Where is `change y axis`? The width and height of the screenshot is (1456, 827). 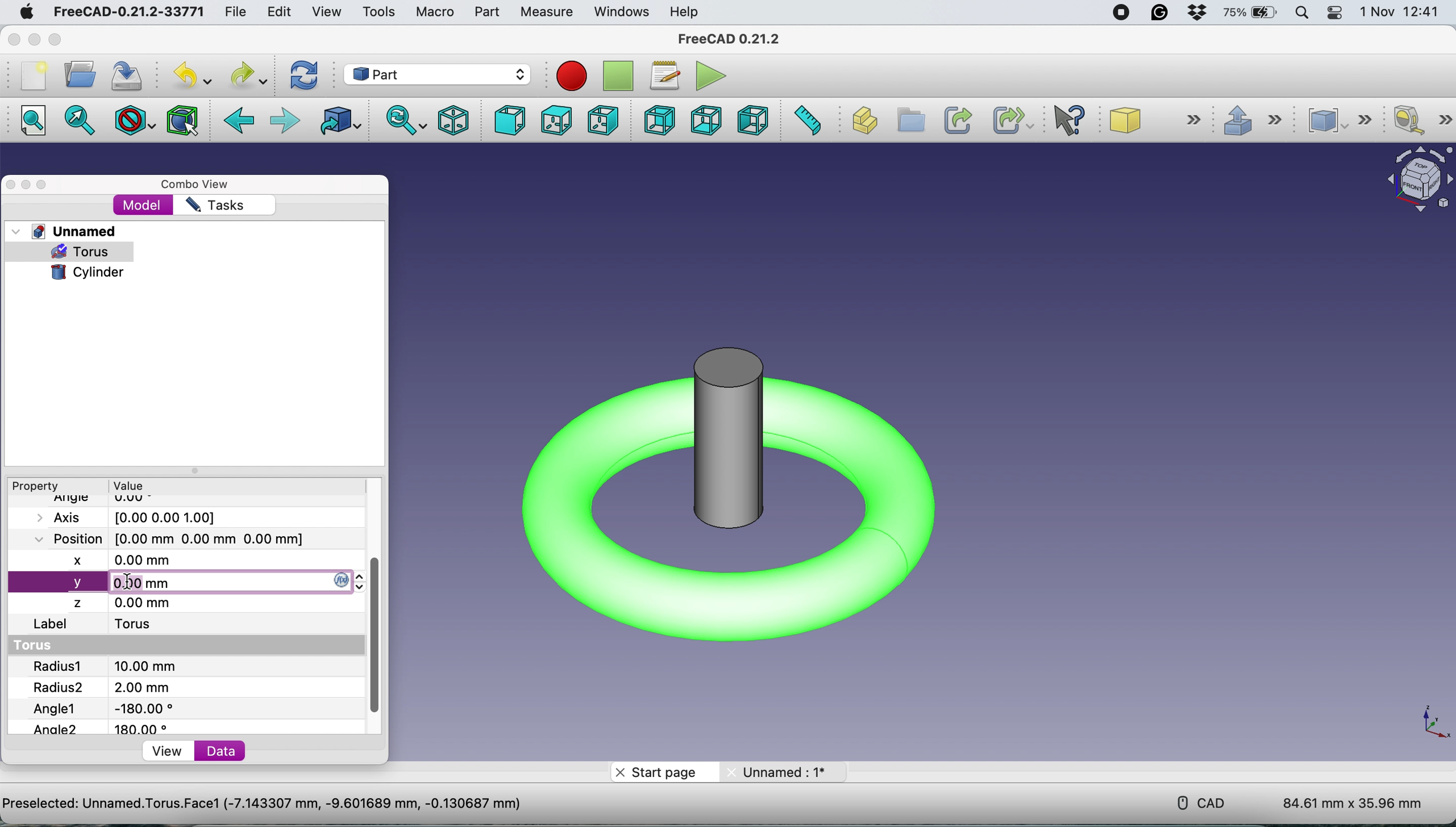
change y axis is located at coordinates (185, 581).